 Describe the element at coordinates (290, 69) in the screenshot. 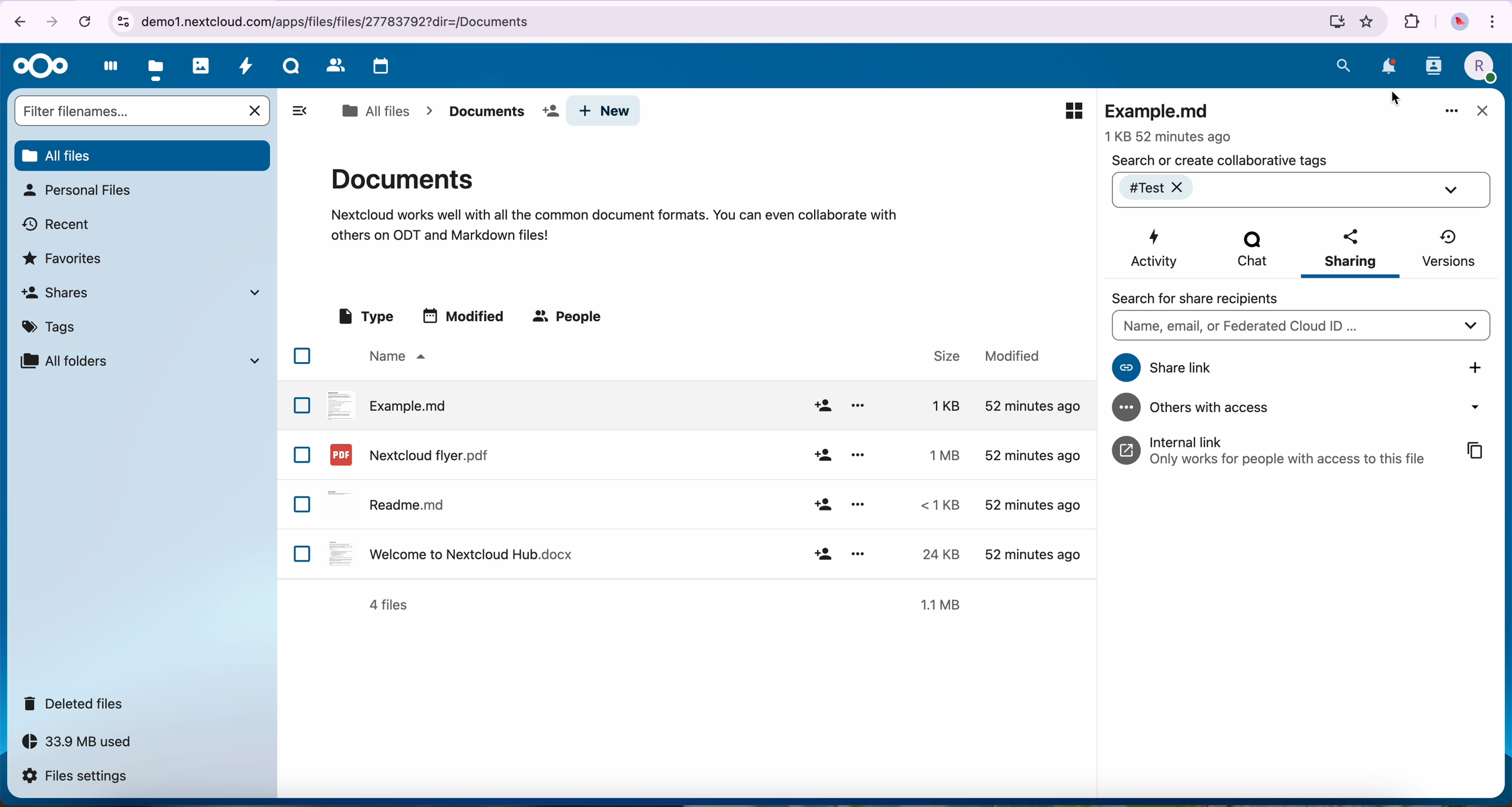

I see `talk` at that location.